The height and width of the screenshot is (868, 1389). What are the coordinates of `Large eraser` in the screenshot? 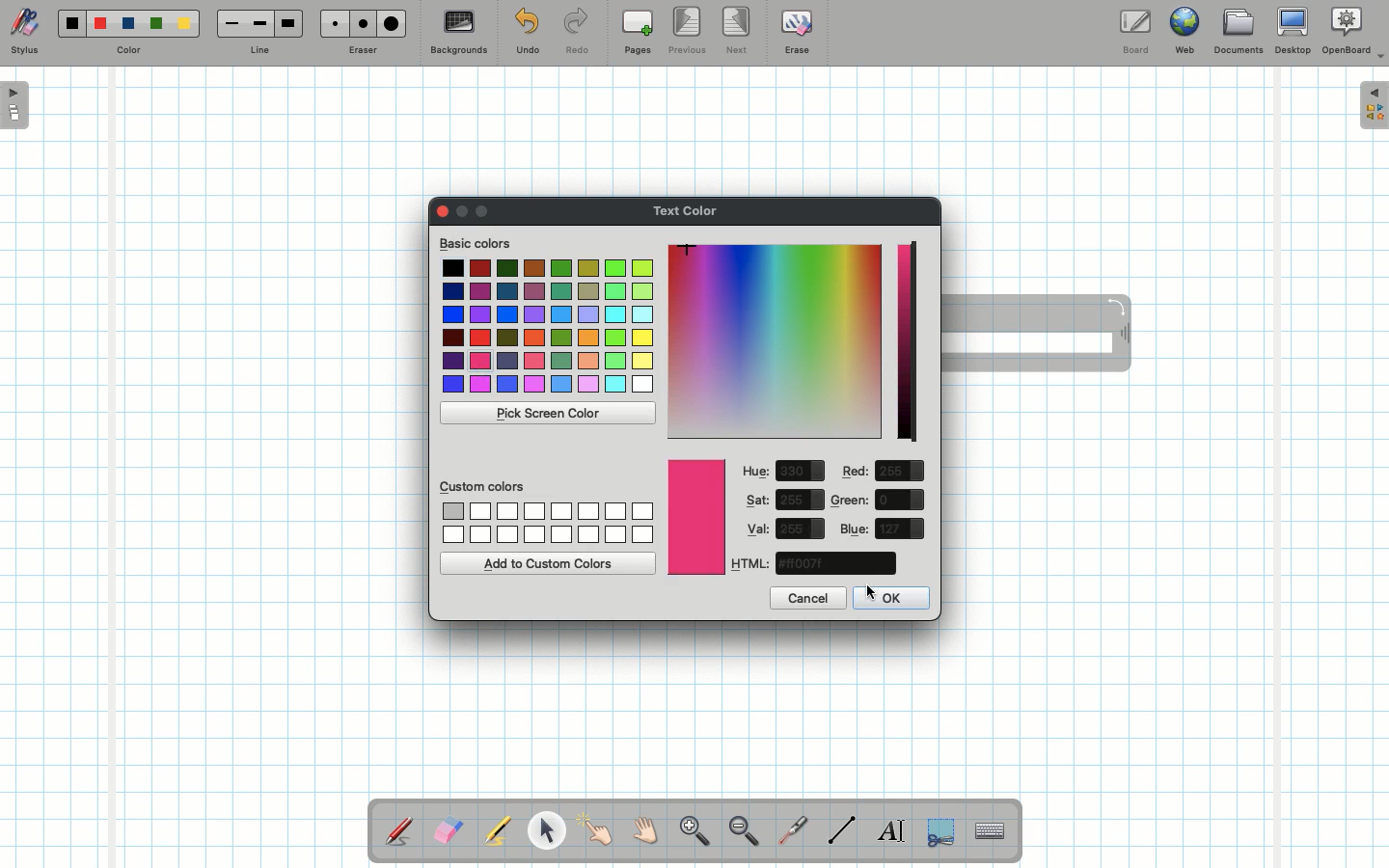 It's located at (392, 23).